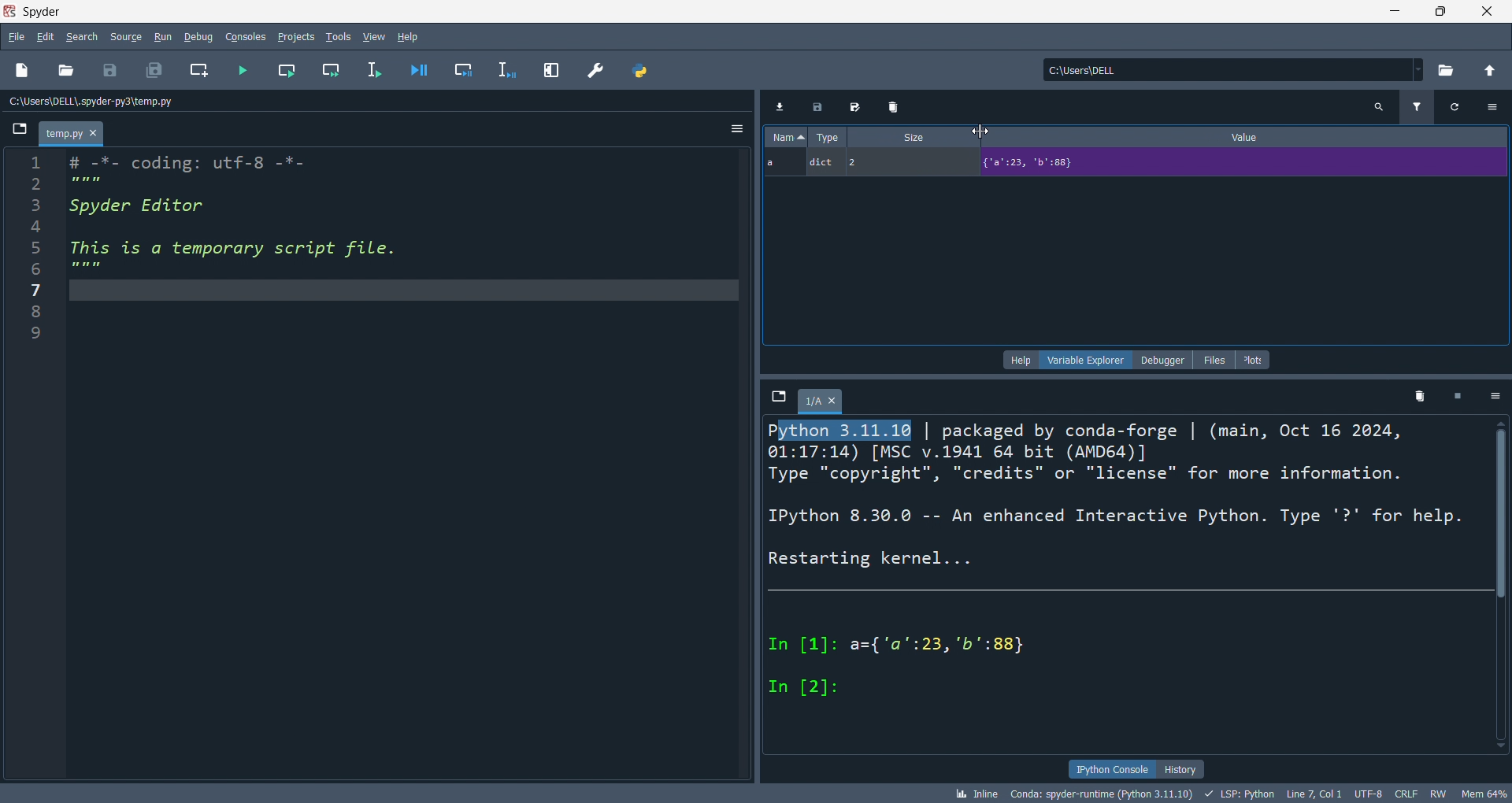  I want to click on new file, so click(21, 72).